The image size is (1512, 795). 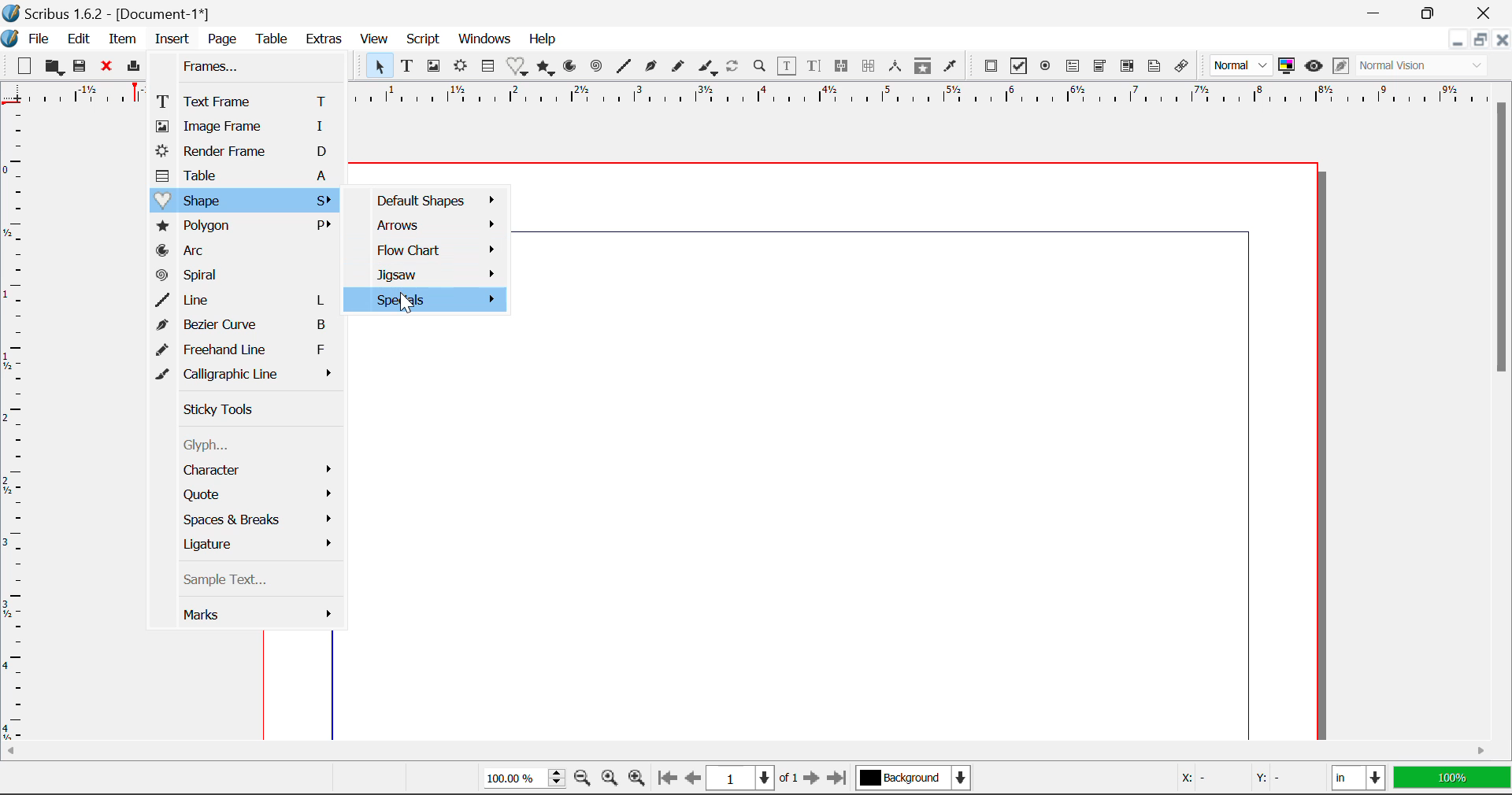 I want to click on Toggle color management system, so click(x=1287, y=67).